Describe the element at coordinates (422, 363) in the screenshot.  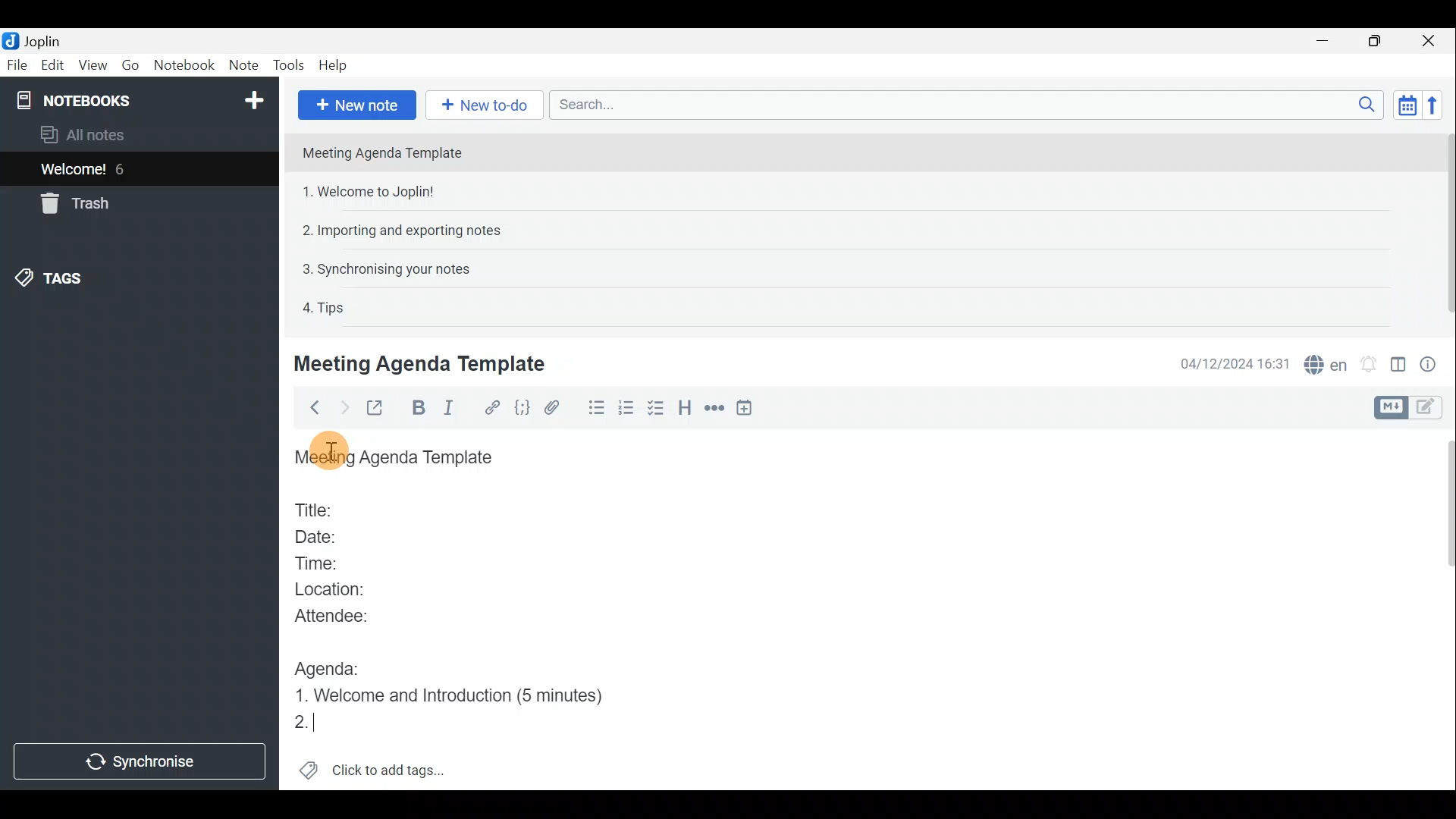
I see `Meeting Agenda Template` at that location.